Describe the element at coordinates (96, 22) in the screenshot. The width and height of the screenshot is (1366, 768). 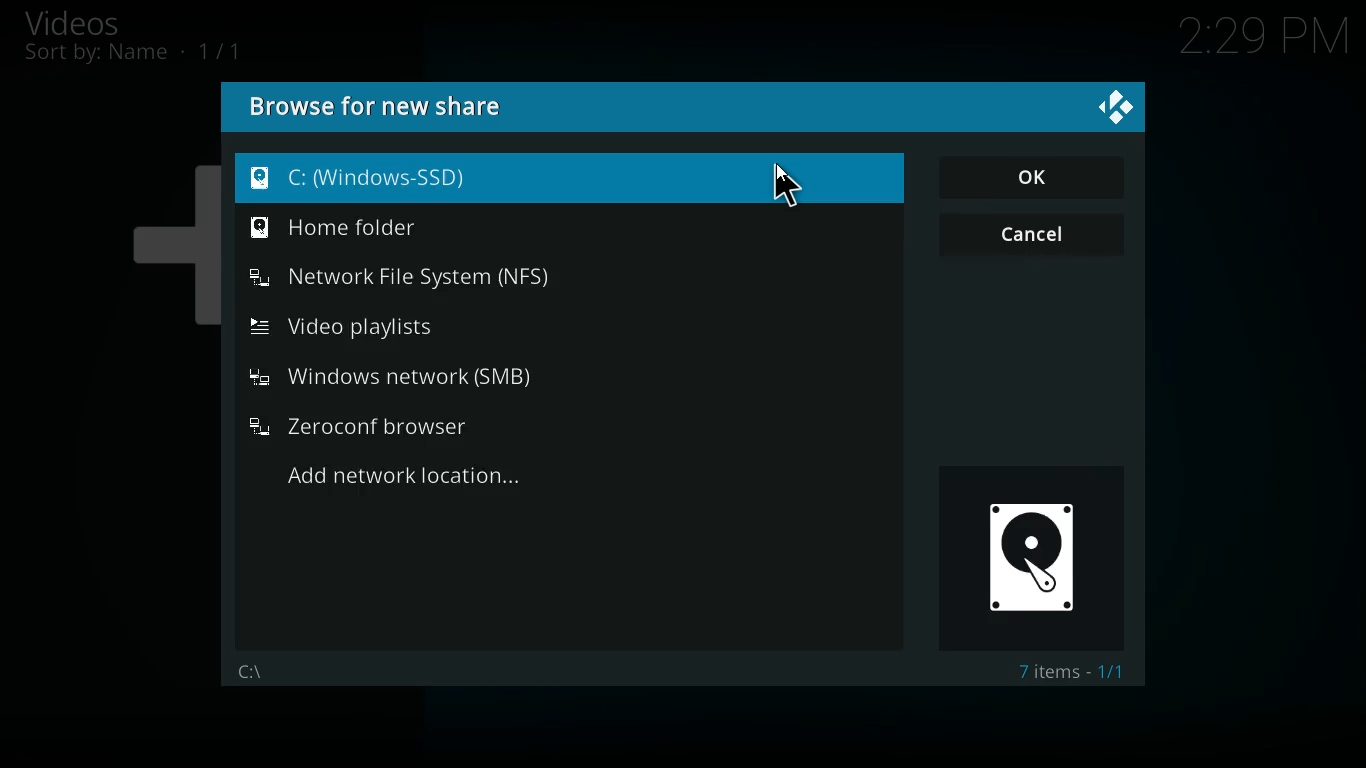
I see `videos` at that location.